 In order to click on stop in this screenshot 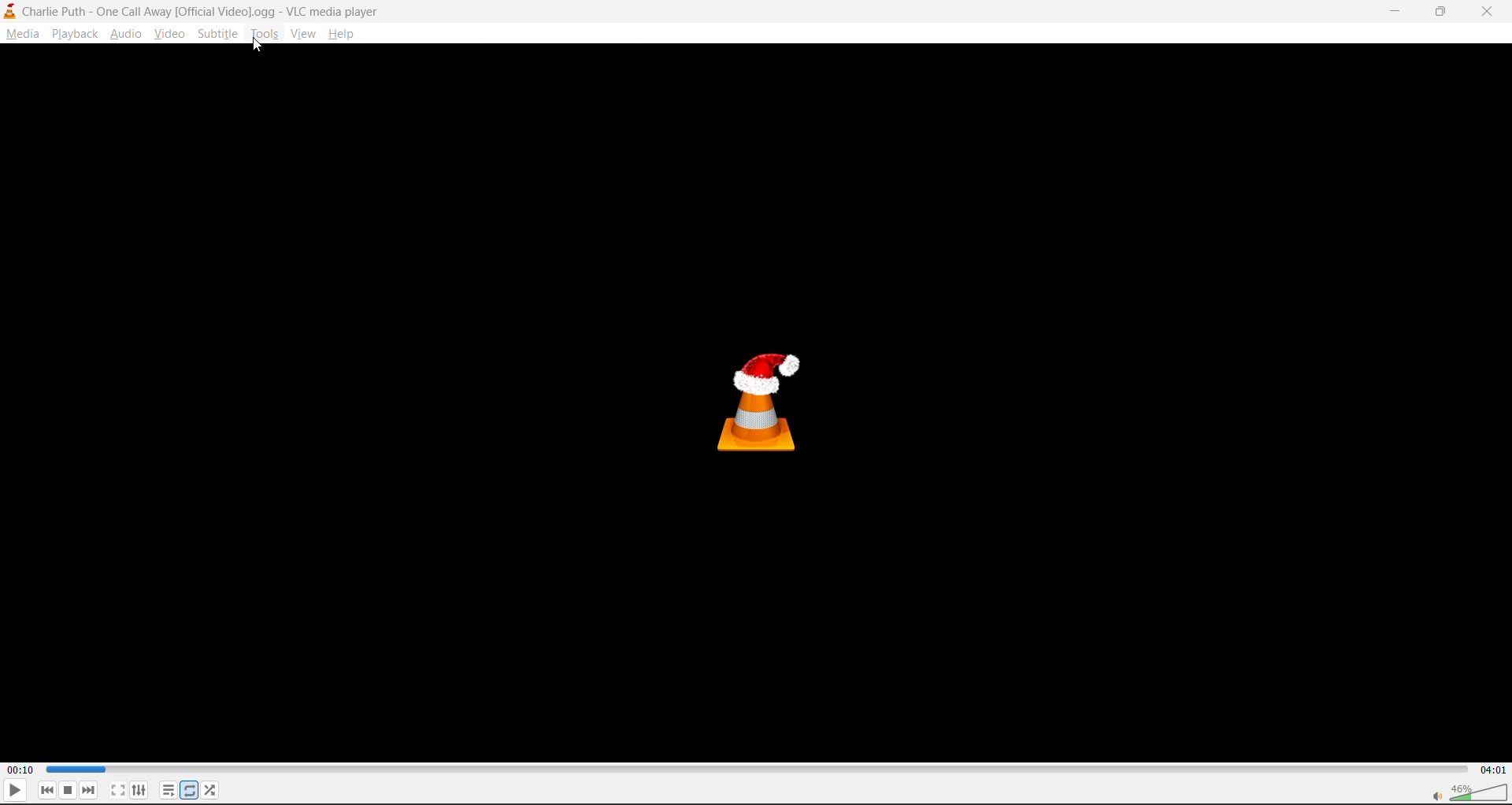, I will do `click(70, 791)`.